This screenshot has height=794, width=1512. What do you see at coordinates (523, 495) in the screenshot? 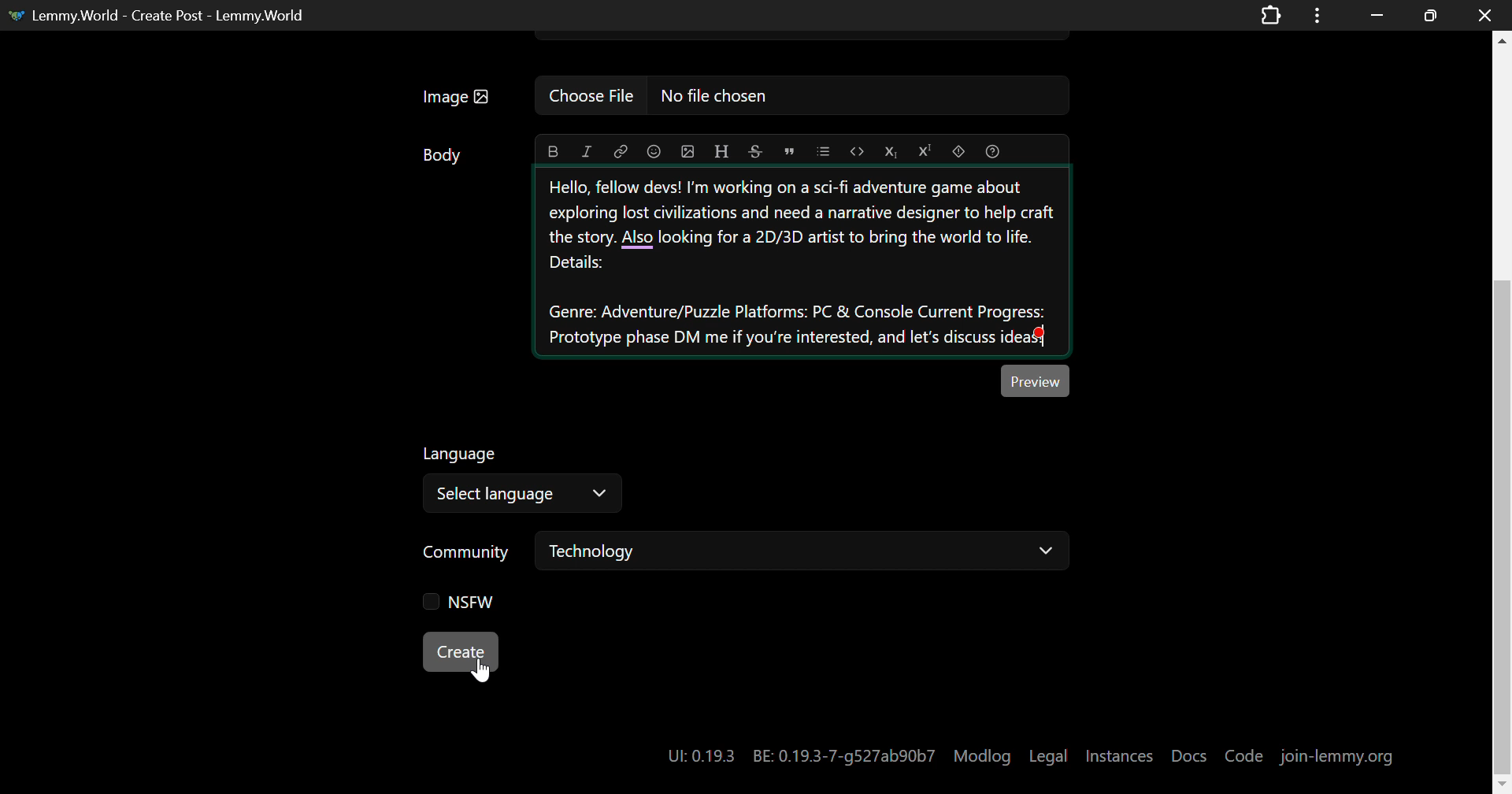
I see `Select Language` at bounding box center [523, 495].